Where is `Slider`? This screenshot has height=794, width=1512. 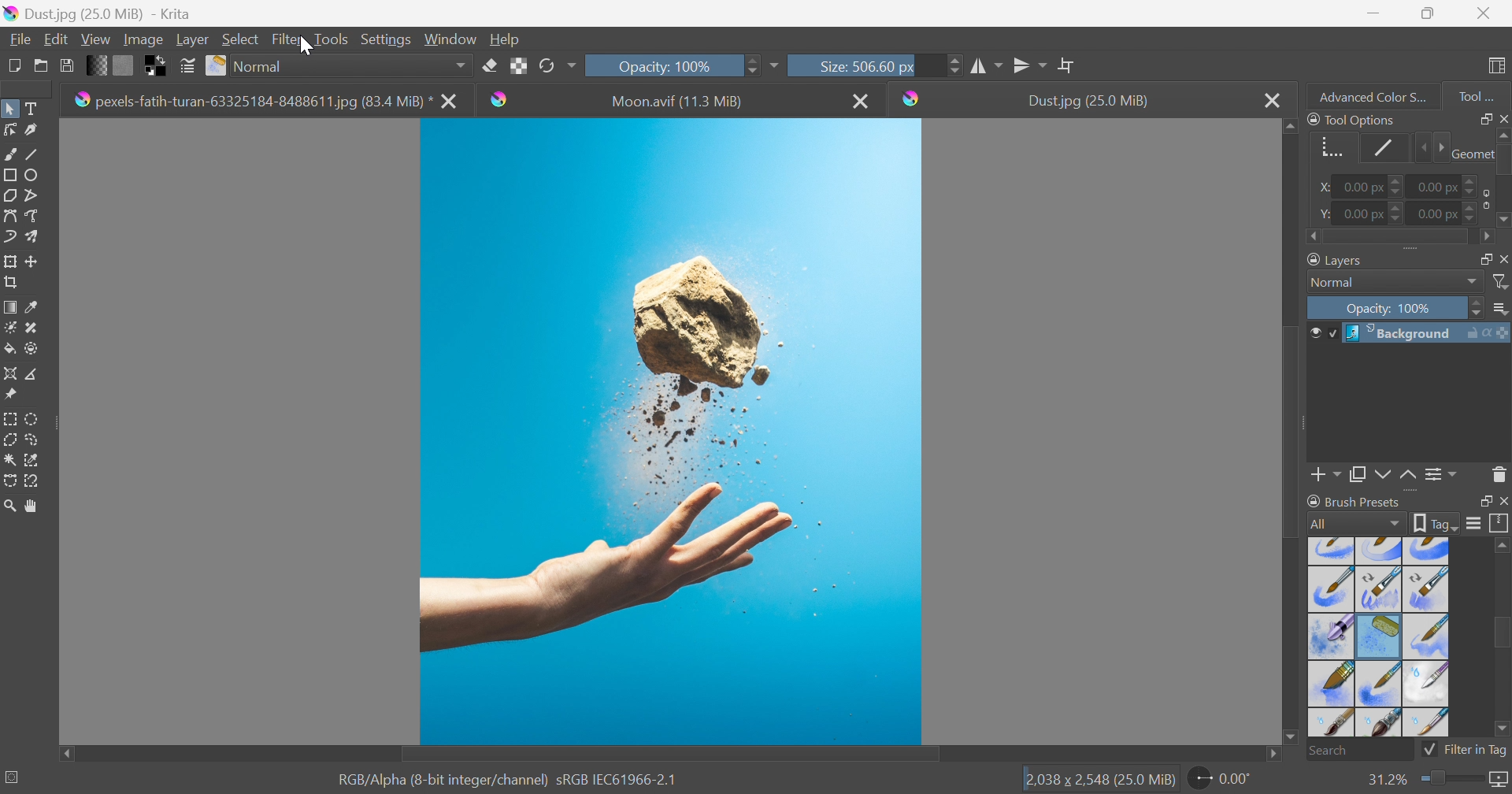 Slider is located at coordinates (1472, 216).